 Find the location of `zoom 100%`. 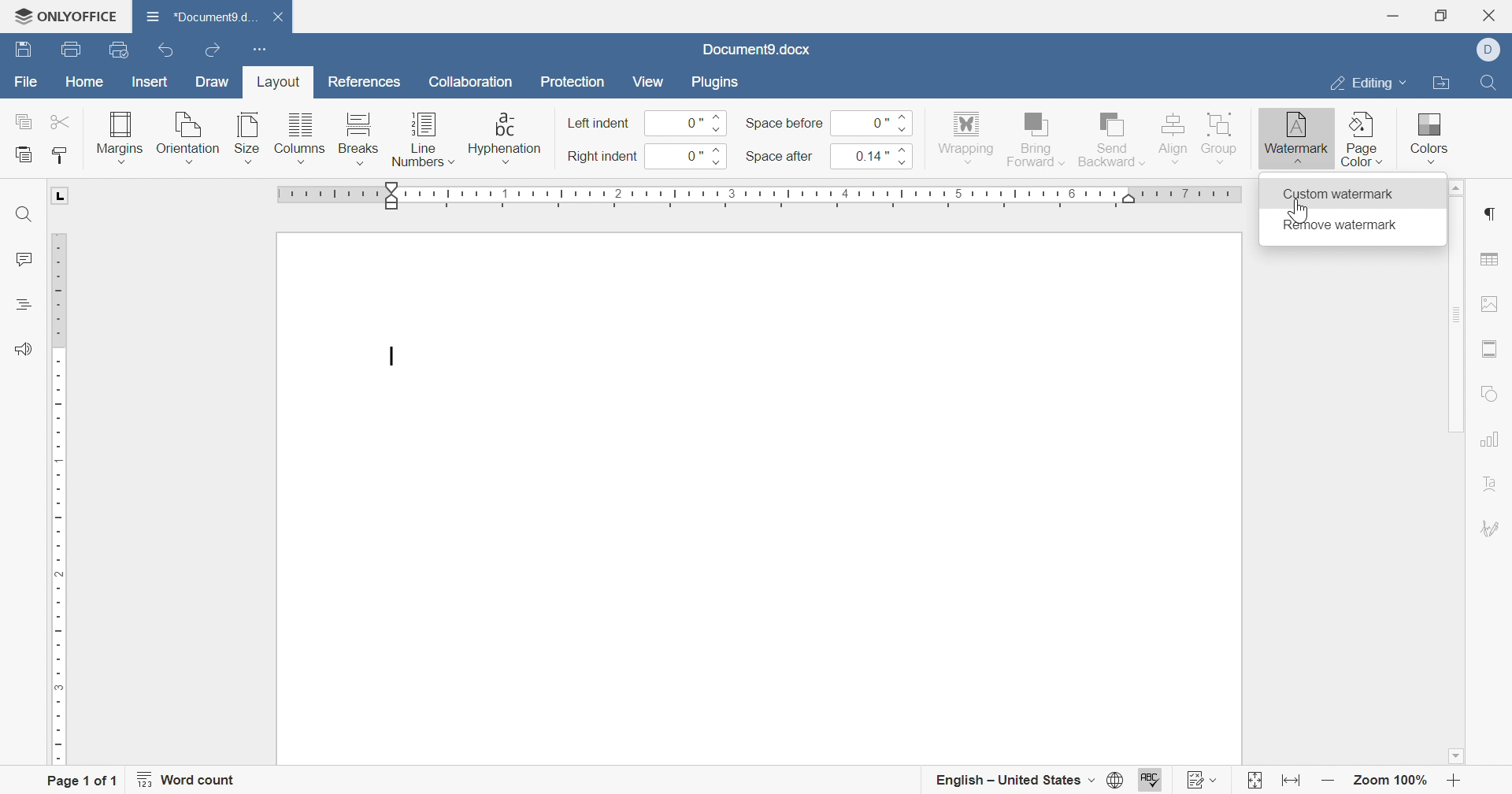

zoom 100% is located at coordinates (1392, 783).